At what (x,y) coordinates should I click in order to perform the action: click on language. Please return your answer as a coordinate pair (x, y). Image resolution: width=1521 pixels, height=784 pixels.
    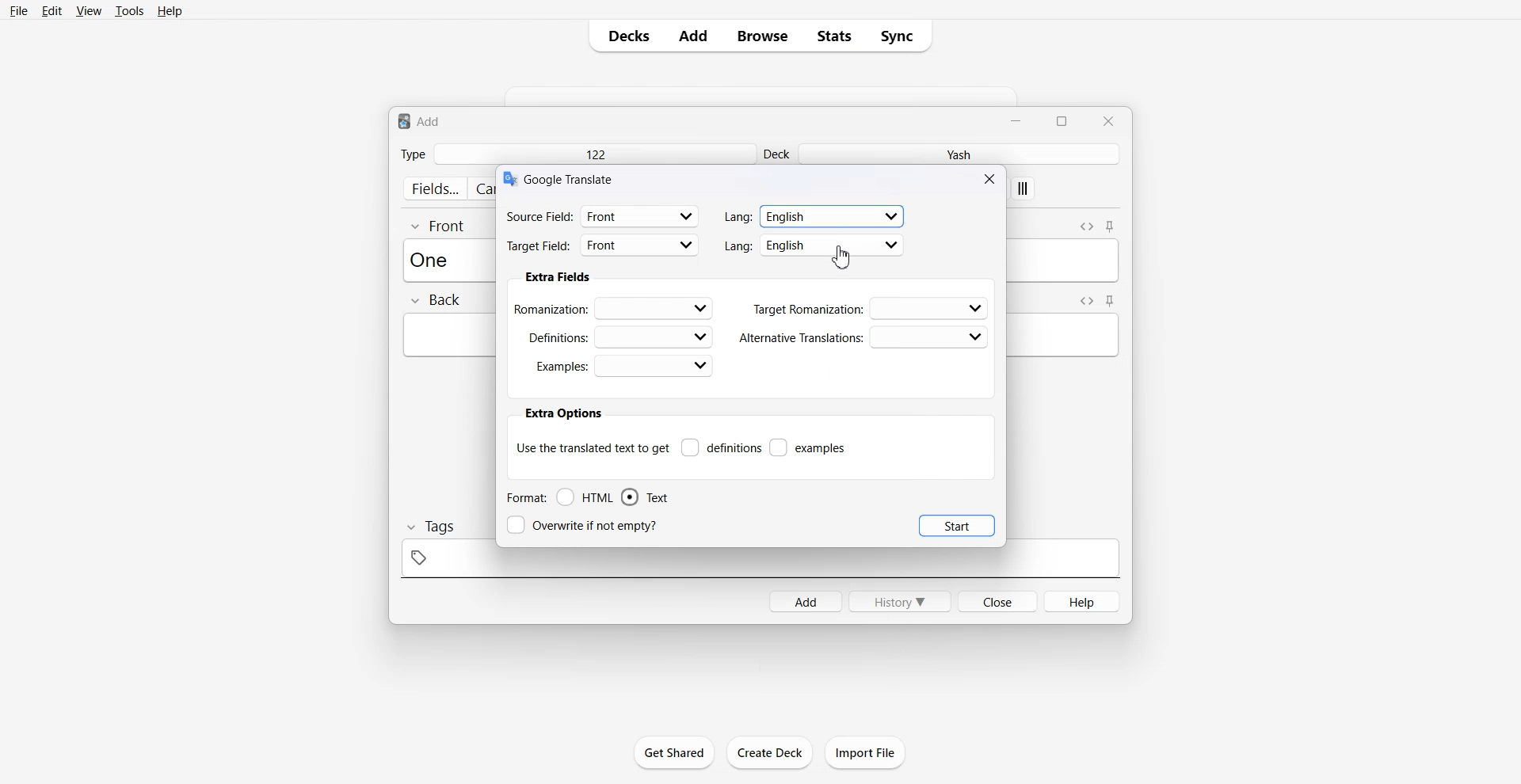
    Looking at the image, I should click on (814, 245).